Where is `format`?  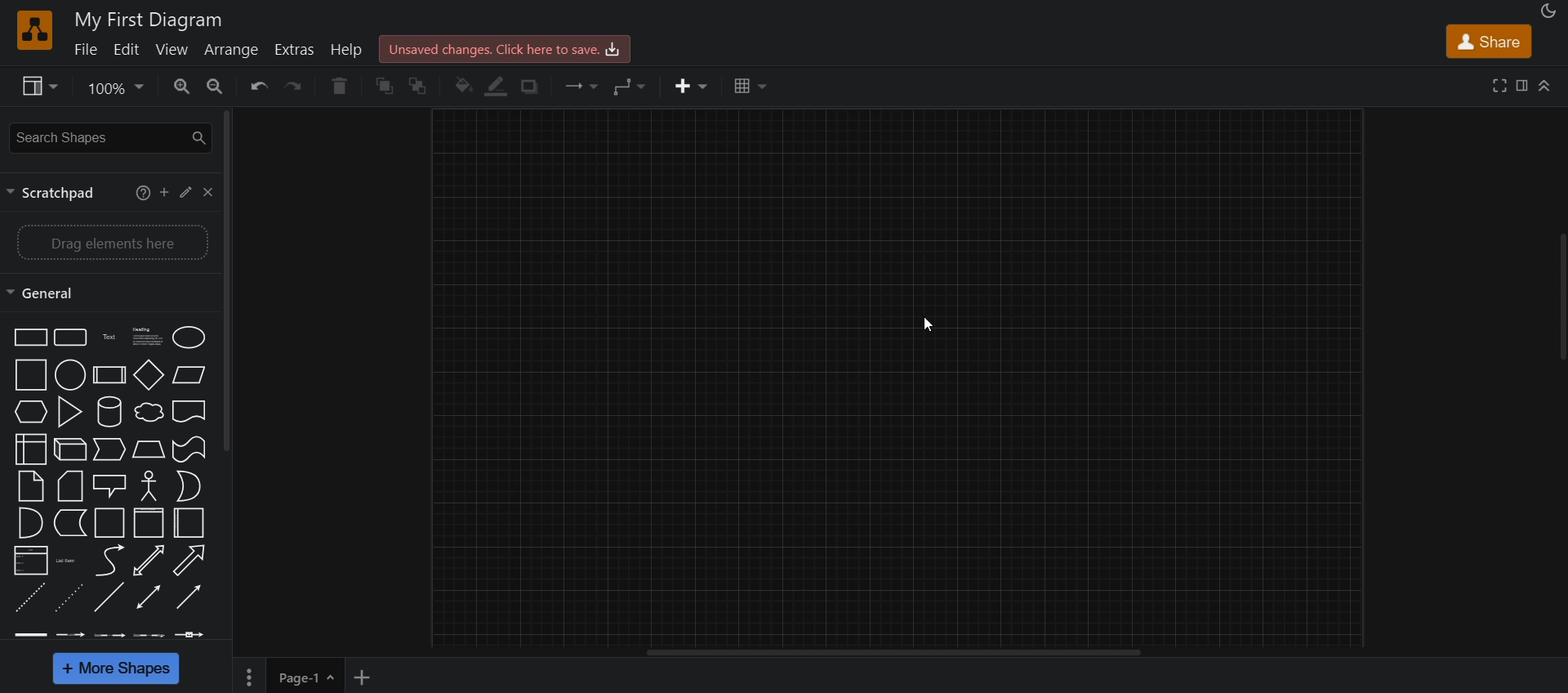 format is located at coordinates (1524, 87).